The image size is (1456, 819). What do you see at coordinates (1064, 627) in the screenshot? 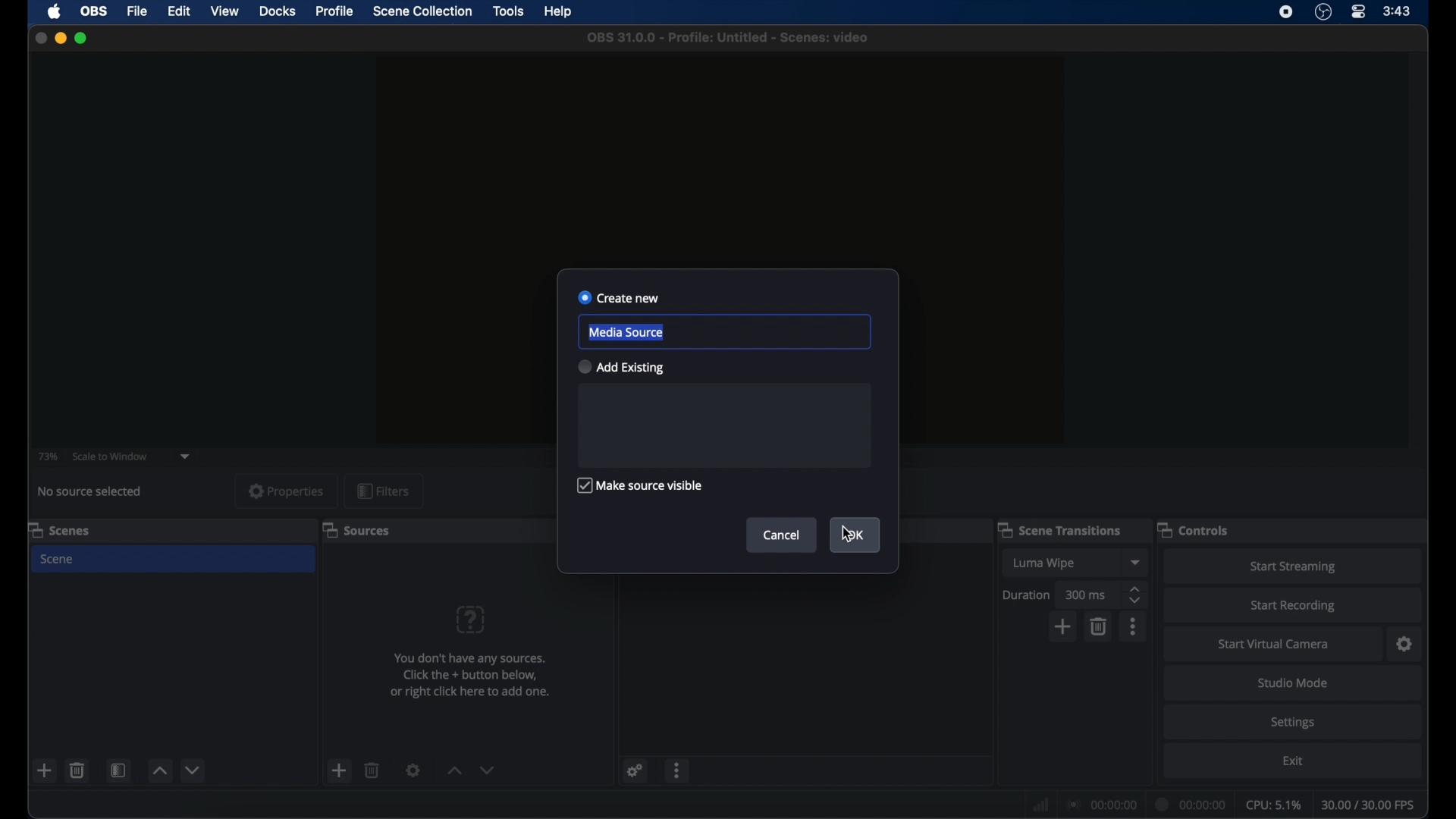
I see `add` at bounding box center [1064, 627].